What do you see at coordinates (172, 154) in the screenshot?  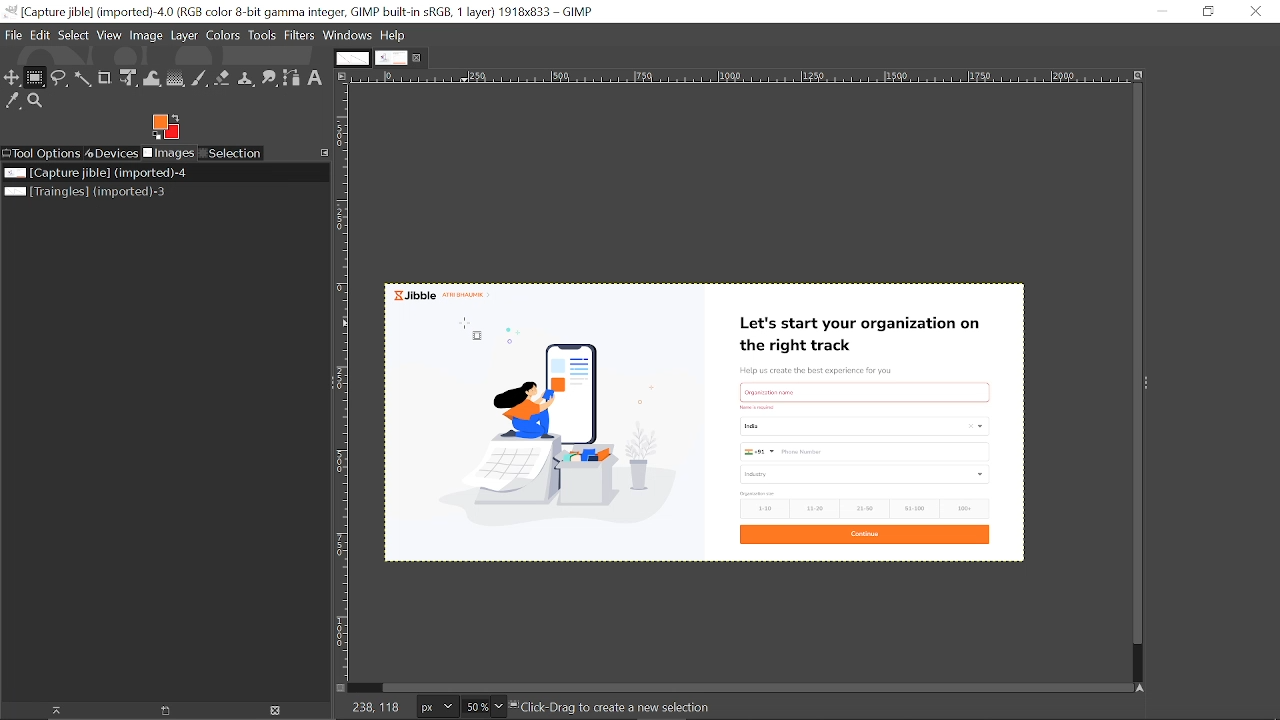 I see `Images` at bounding box center [172, 154].